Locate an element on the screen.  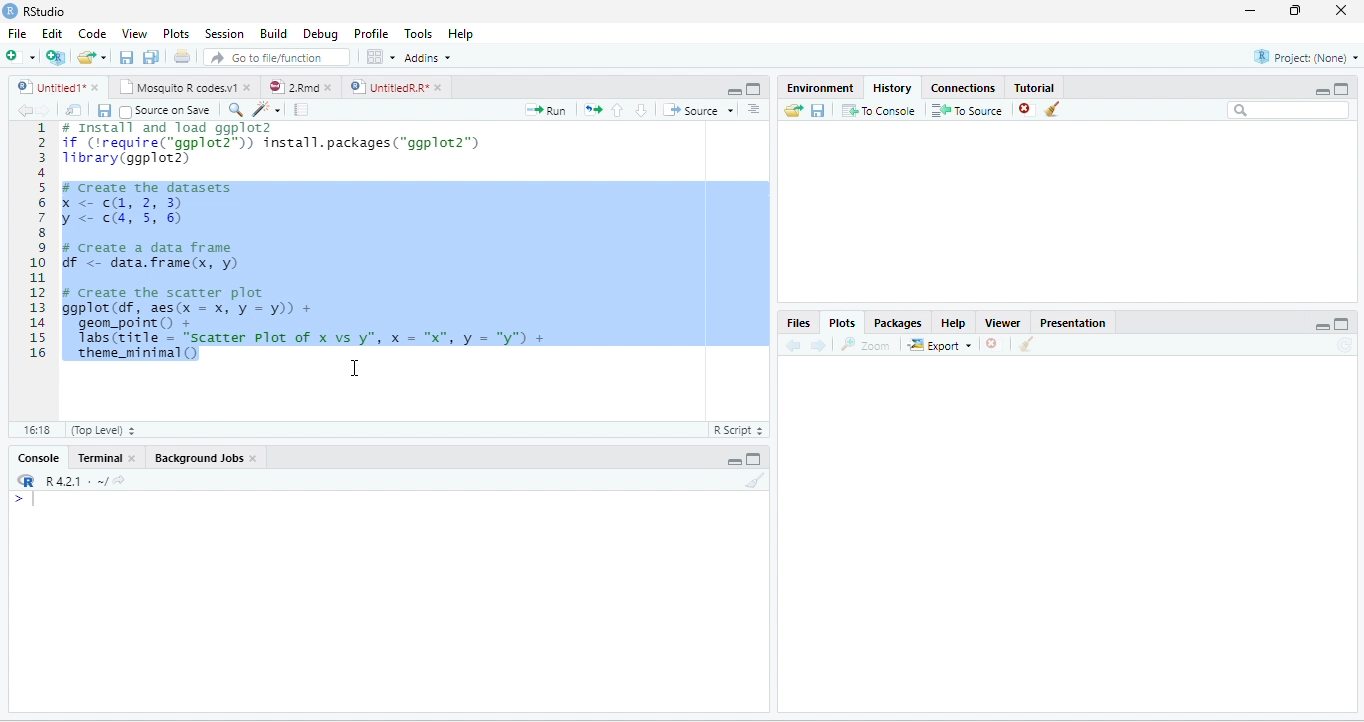
Session is located at coordinates (225, 33).